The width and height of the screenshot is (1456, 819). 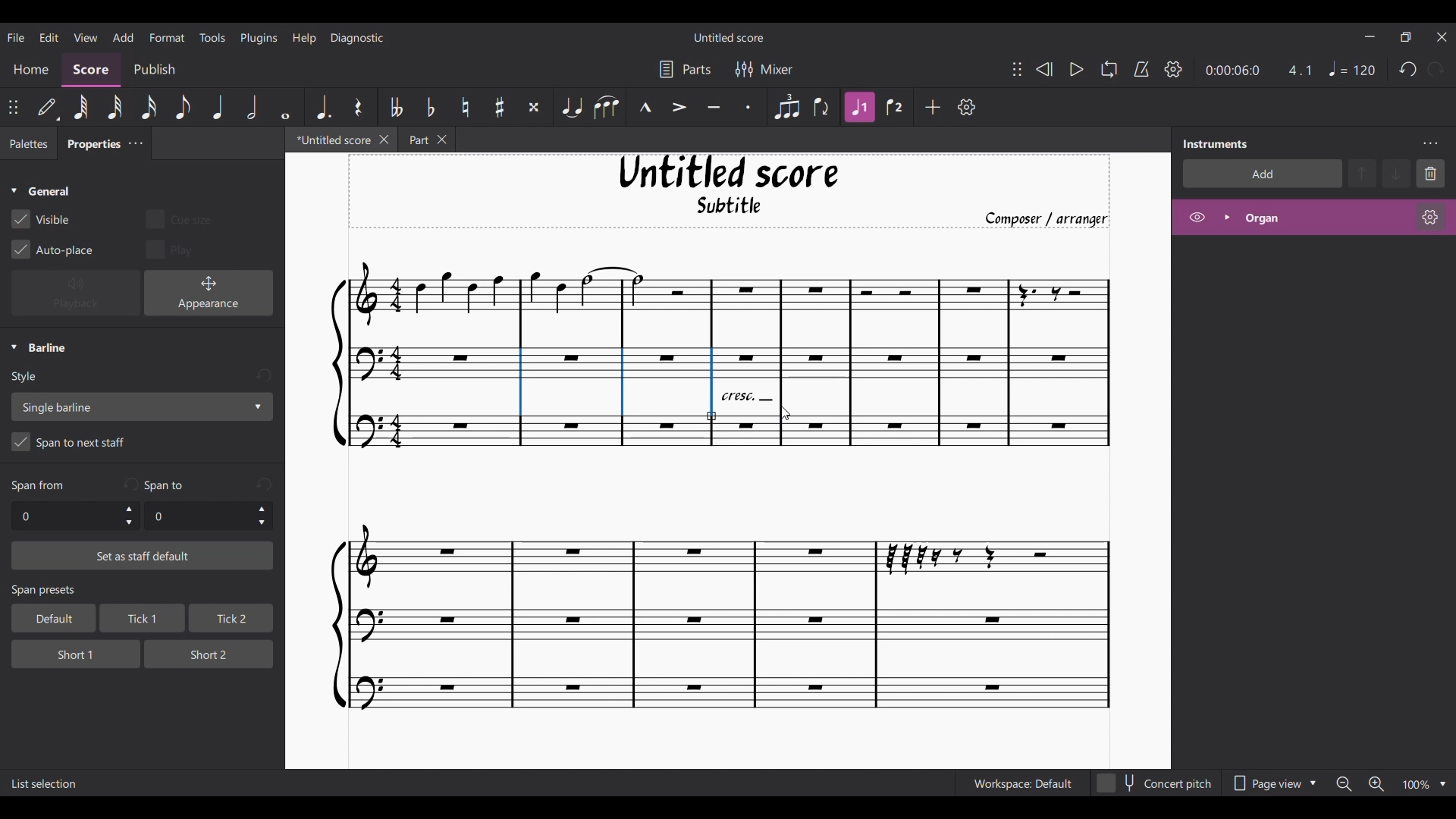 What do you see at coordinates (218, 107) in the screenshot?
I see `Quarter note` at bounding box center [218, 107].